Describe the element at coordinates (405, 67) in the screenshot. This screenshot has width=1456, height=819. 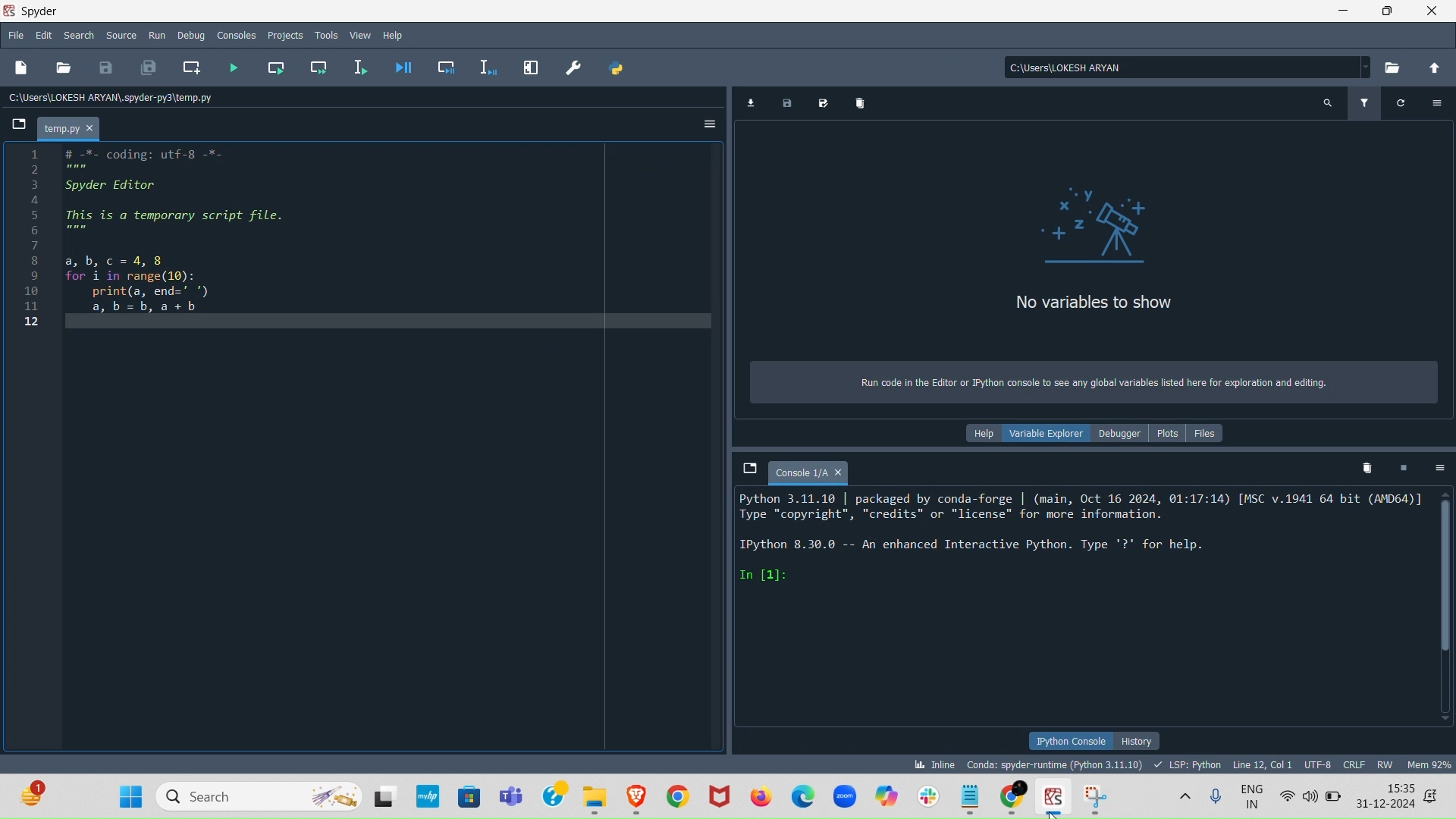
I see `Debug file (Ctrl + F5)` at that location.